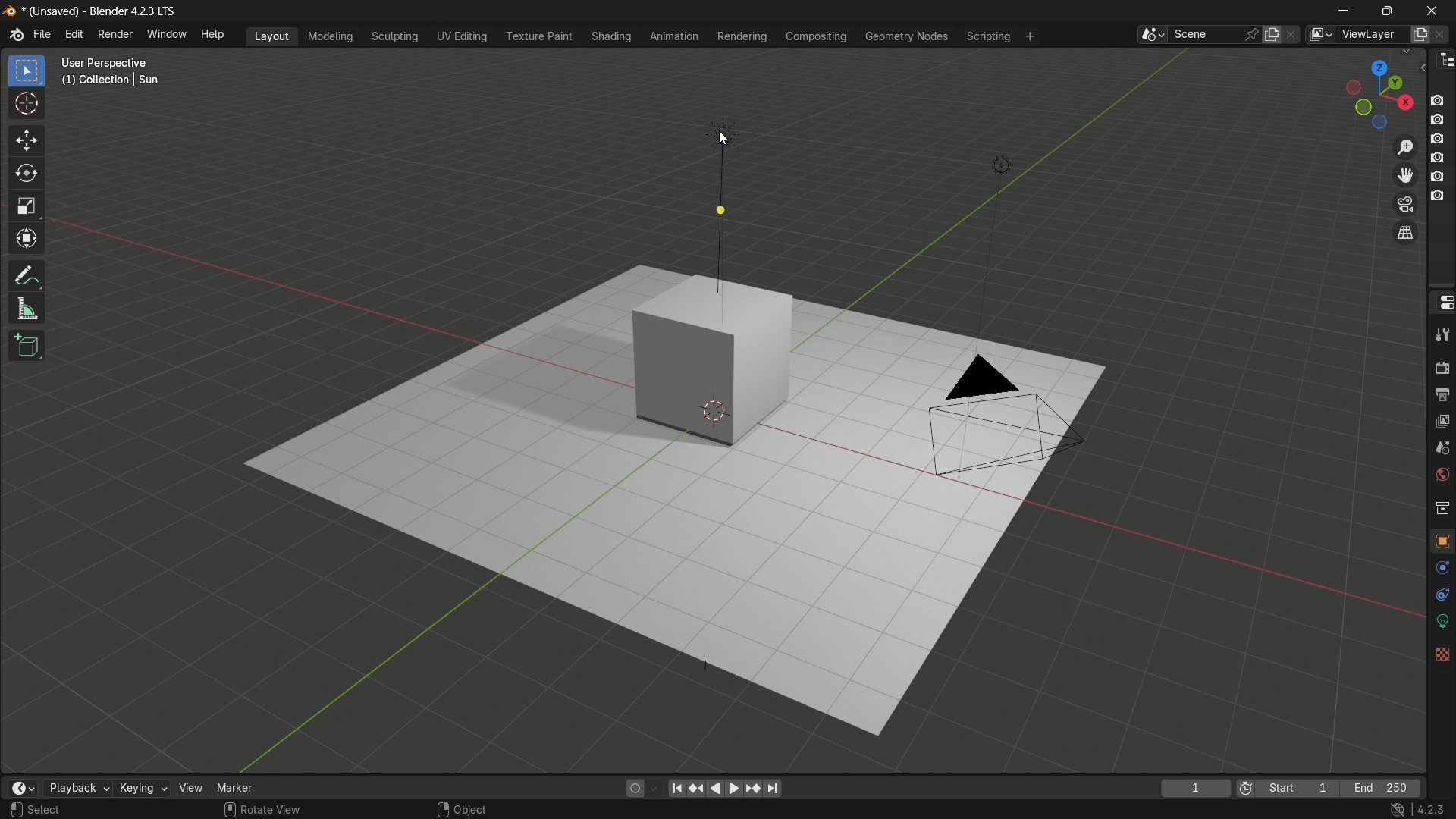 Image resolution: width=1456 pixels, height=819 pixels. I want to click on layer 6, so click(1437, 196).